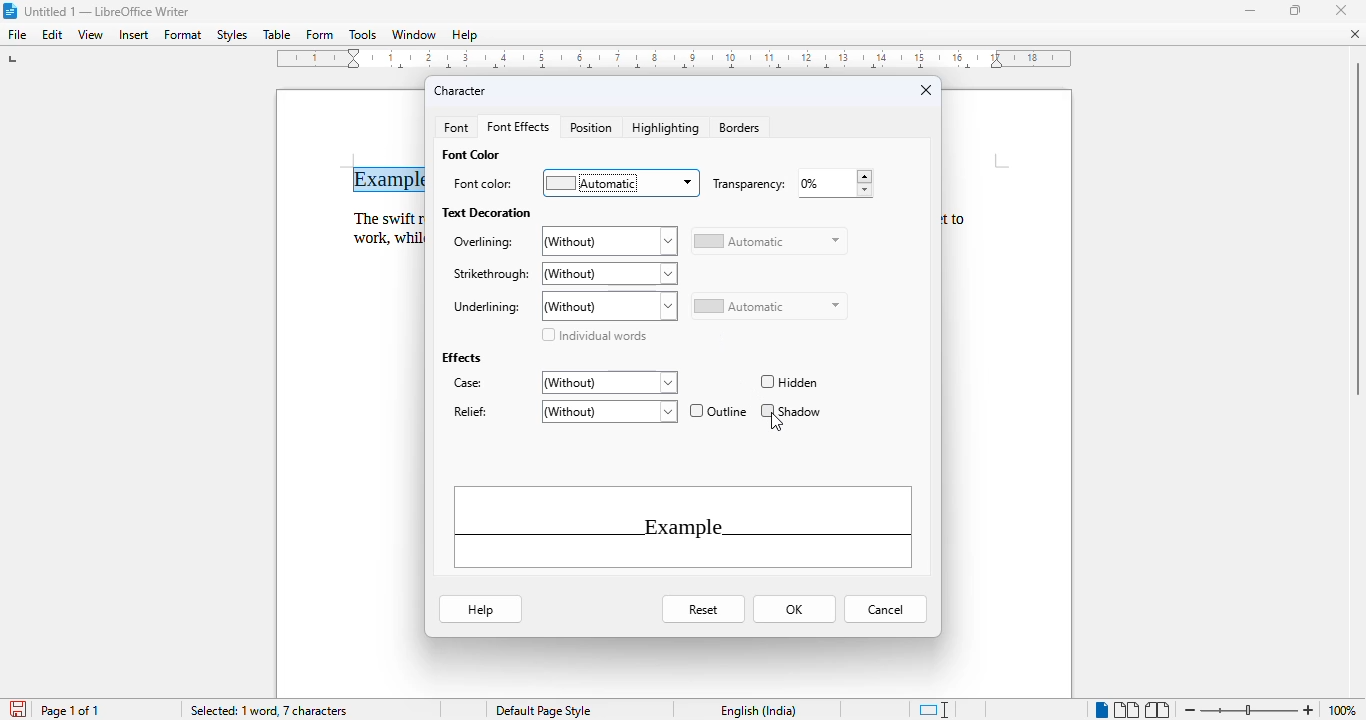  What do you see at coordinates (470, 154) in the screenshot?
I see `font color` at bounding box center [470, 154].